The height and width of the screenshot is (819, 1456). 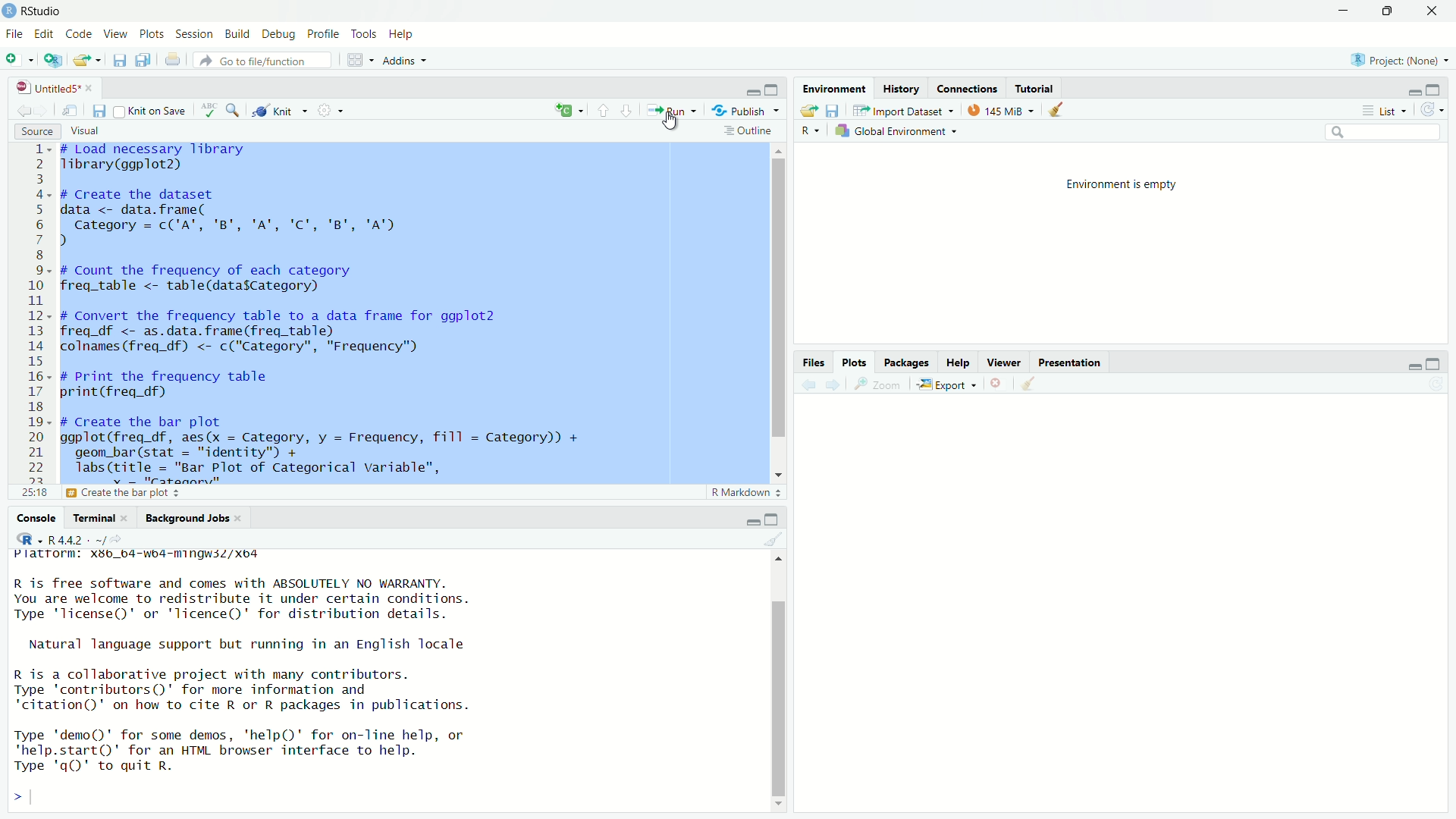 I want to click on vertical scrollbar, so click(x=780, y=700).